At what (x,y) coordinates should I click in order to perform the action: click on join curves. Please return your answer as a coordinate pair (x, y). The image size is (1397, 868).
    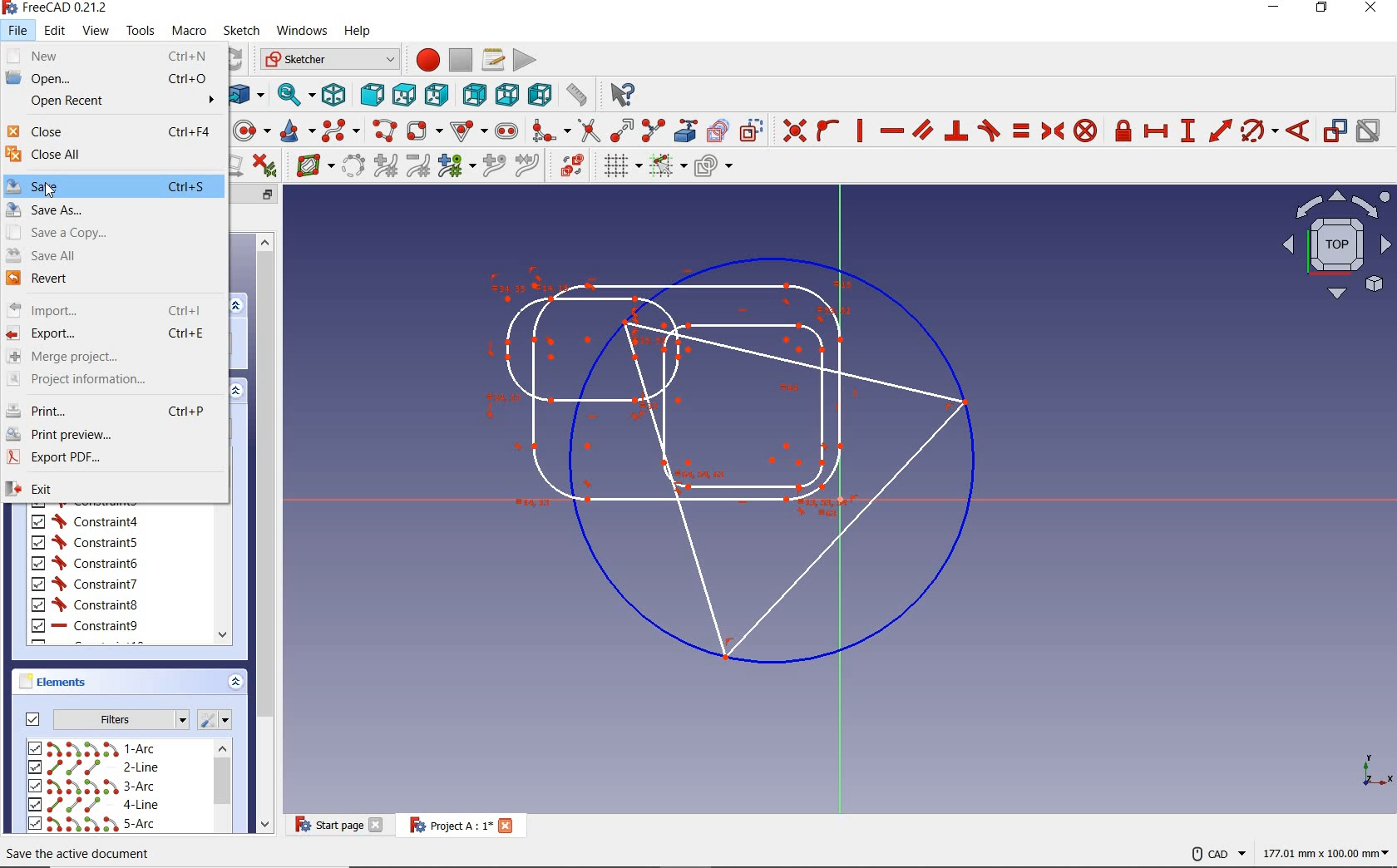
    Looking at the image, I should click on (526, 165).